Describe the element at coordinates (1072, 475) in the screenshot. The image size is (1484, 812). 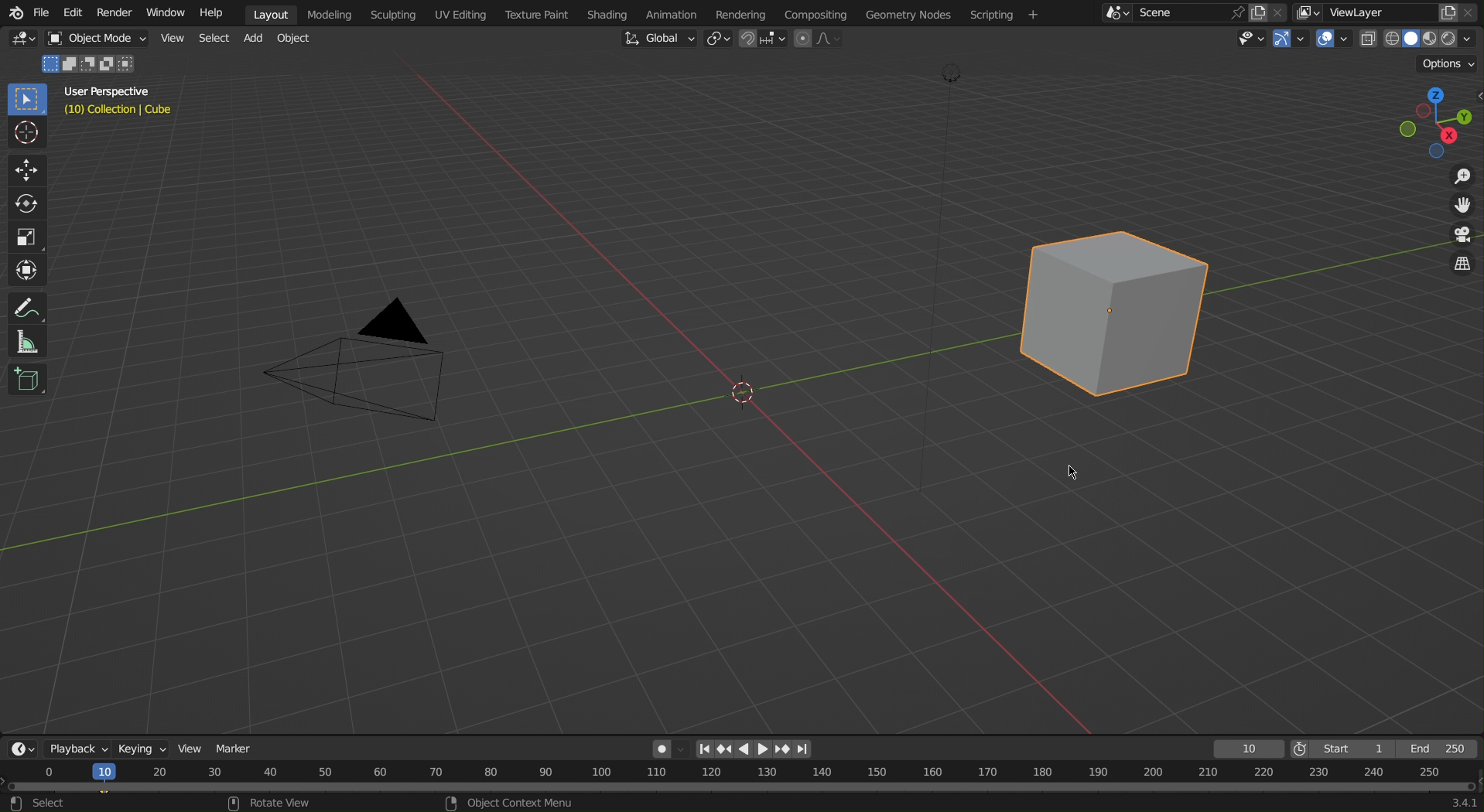
I see `Cursor` at that location.